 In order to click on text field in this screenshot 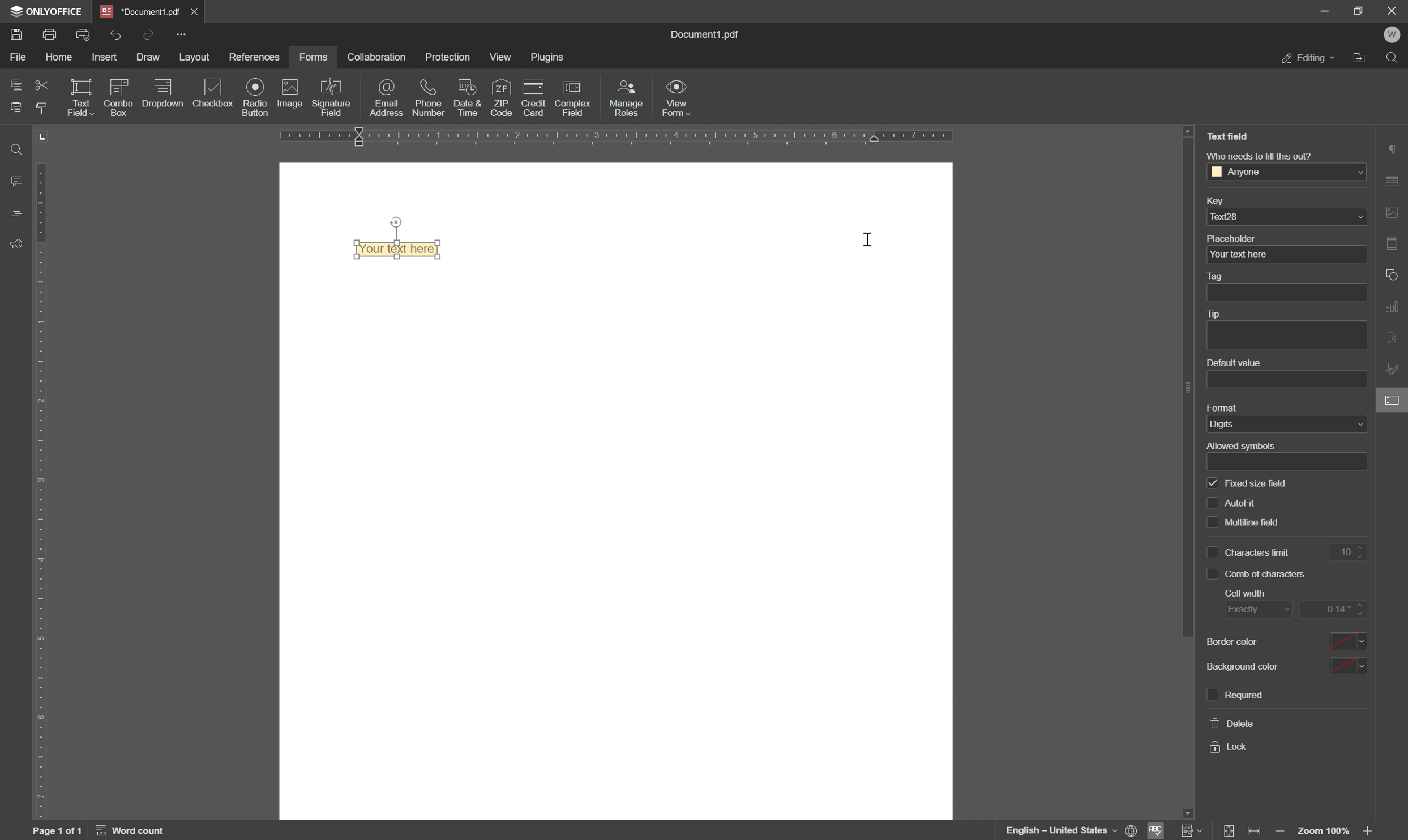, I will do `click(81, 98)`.